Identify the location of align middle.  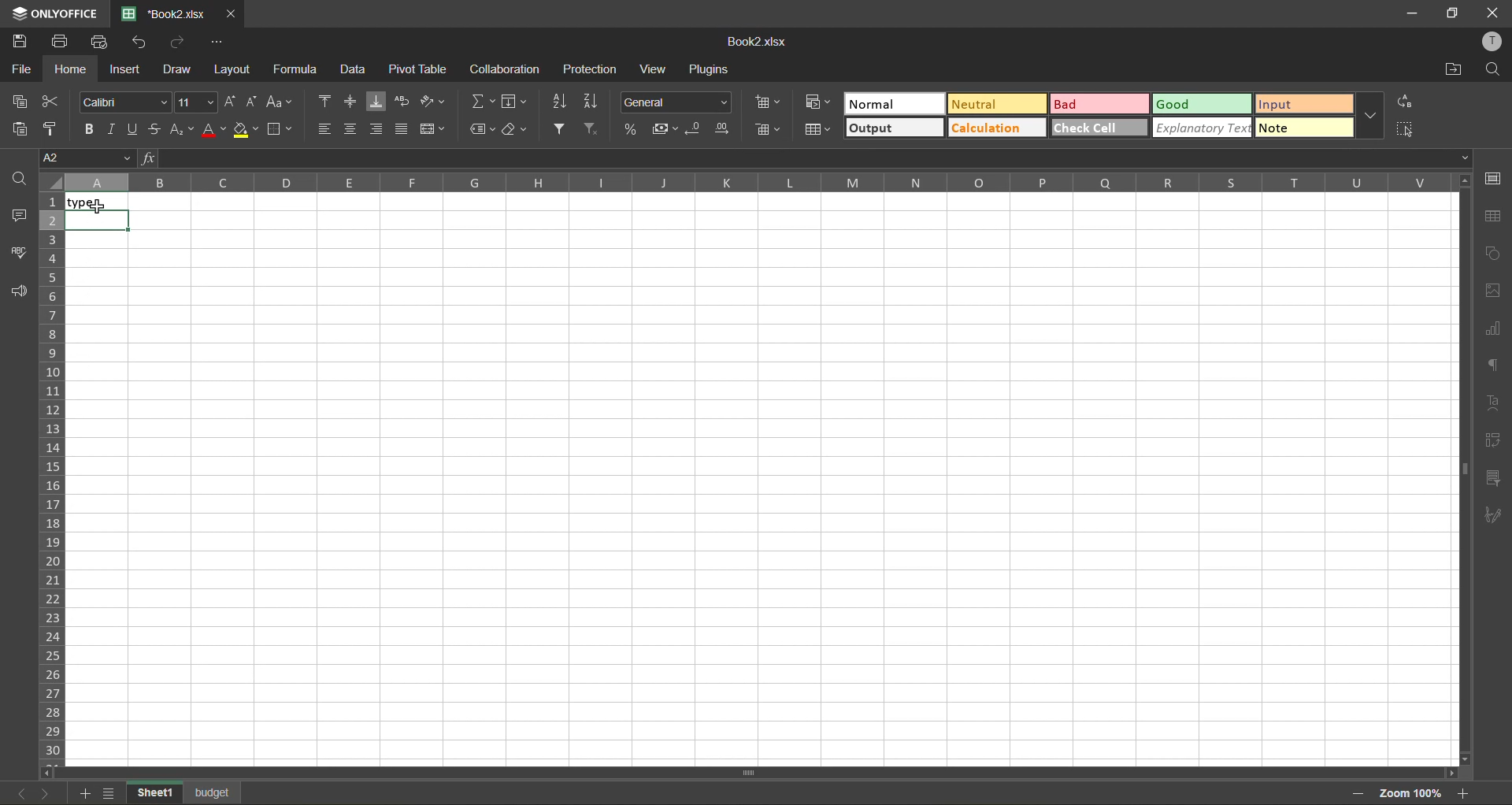
(354, 102).